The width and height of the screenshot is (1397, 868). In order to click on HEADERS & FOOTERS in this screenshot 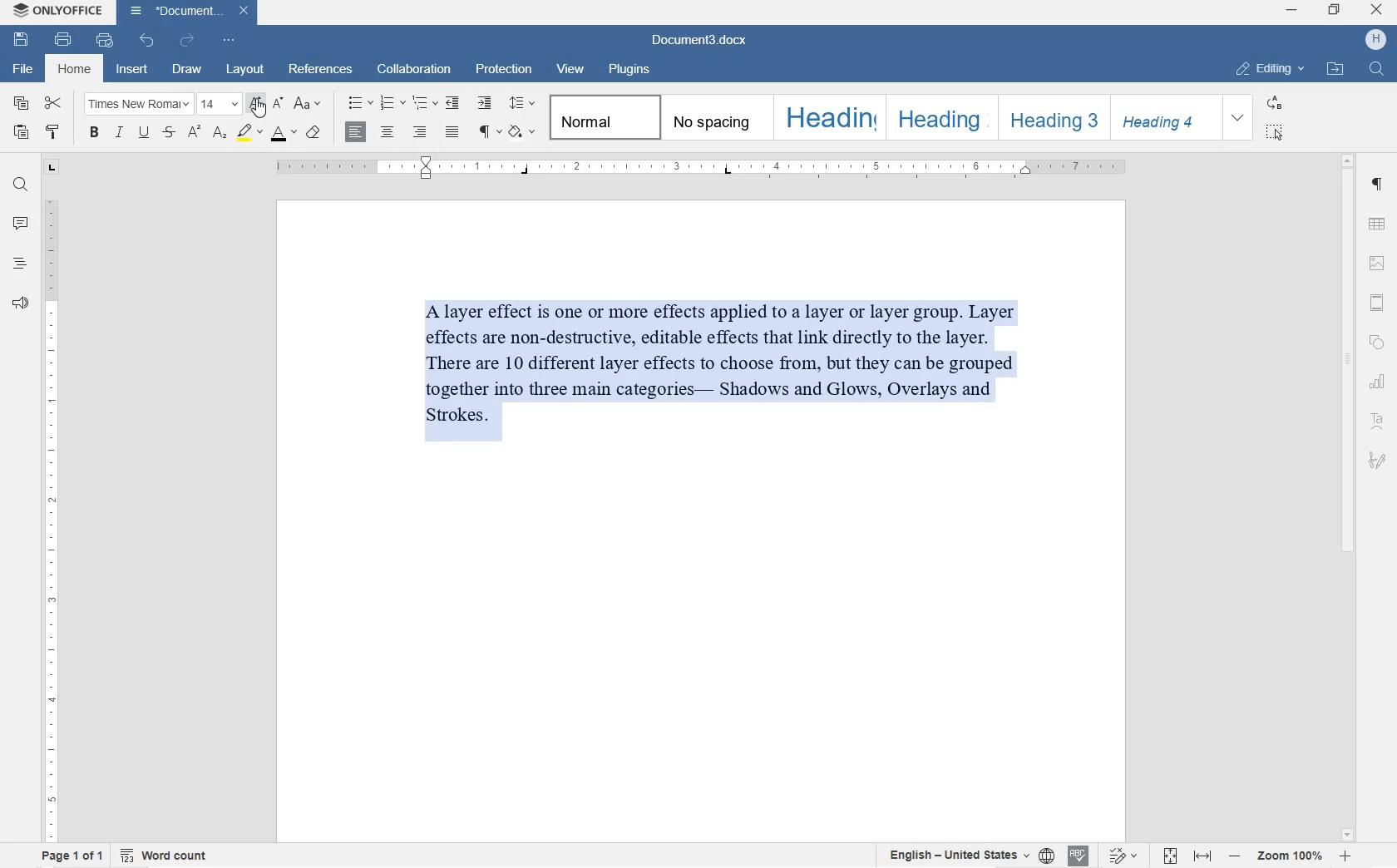, I will do `click(1379, 303)`.